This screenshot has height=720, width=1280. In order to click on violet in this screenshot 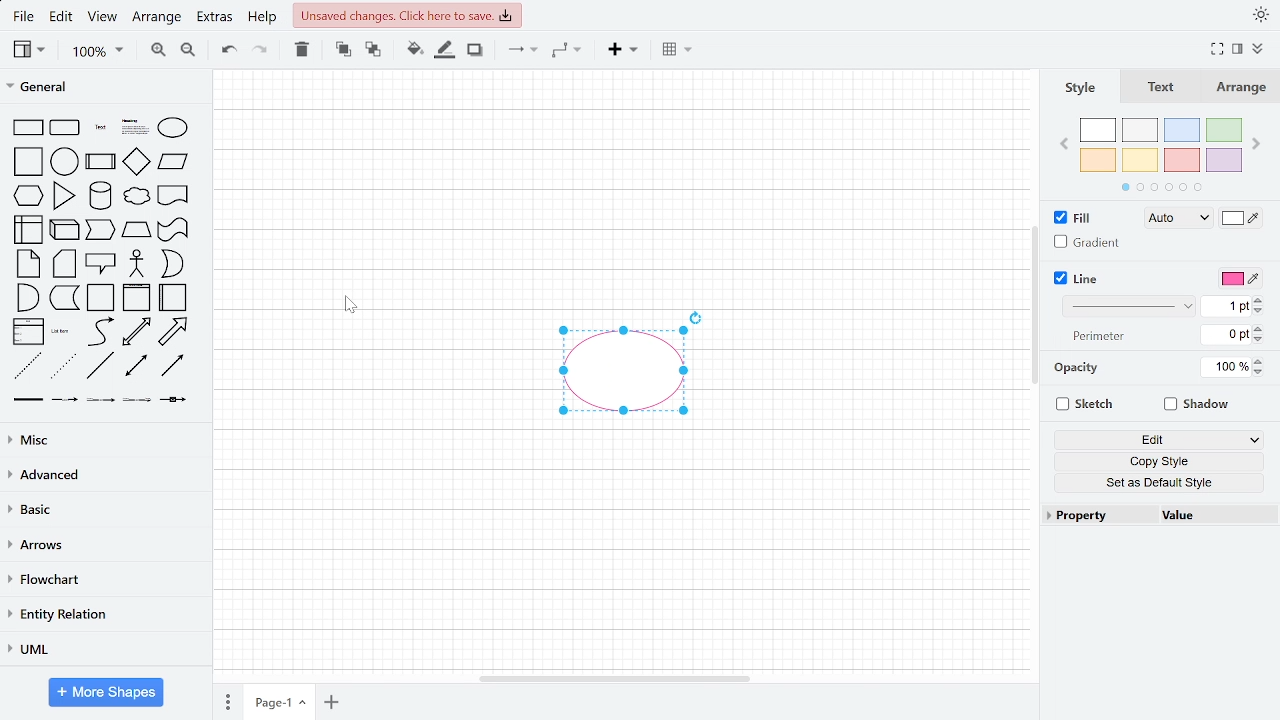, I will do `click(1222, 160)`.